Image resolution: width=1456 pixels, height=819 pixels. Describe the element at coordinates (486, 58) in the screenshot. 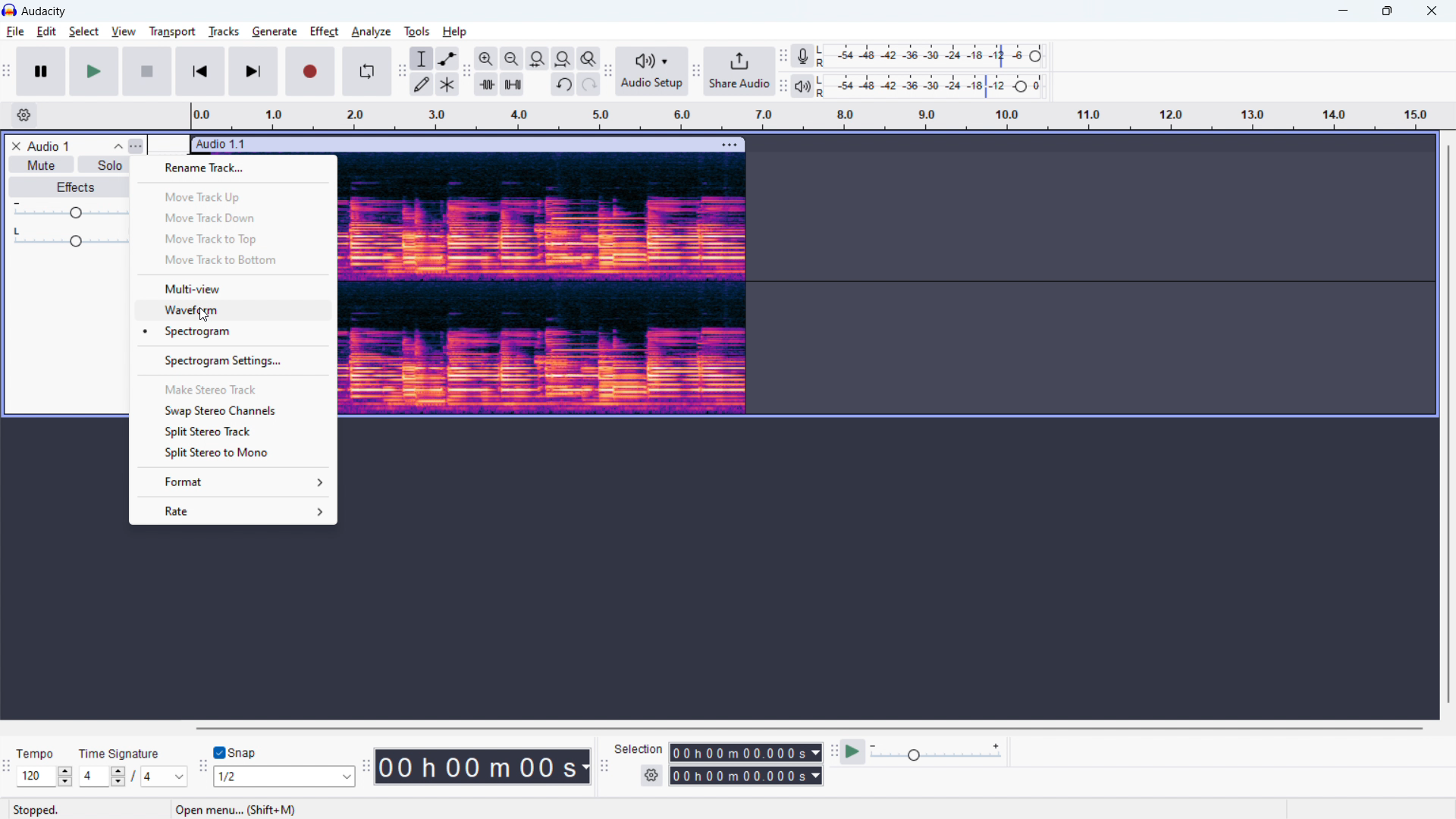

I see `zoom in` at that location.